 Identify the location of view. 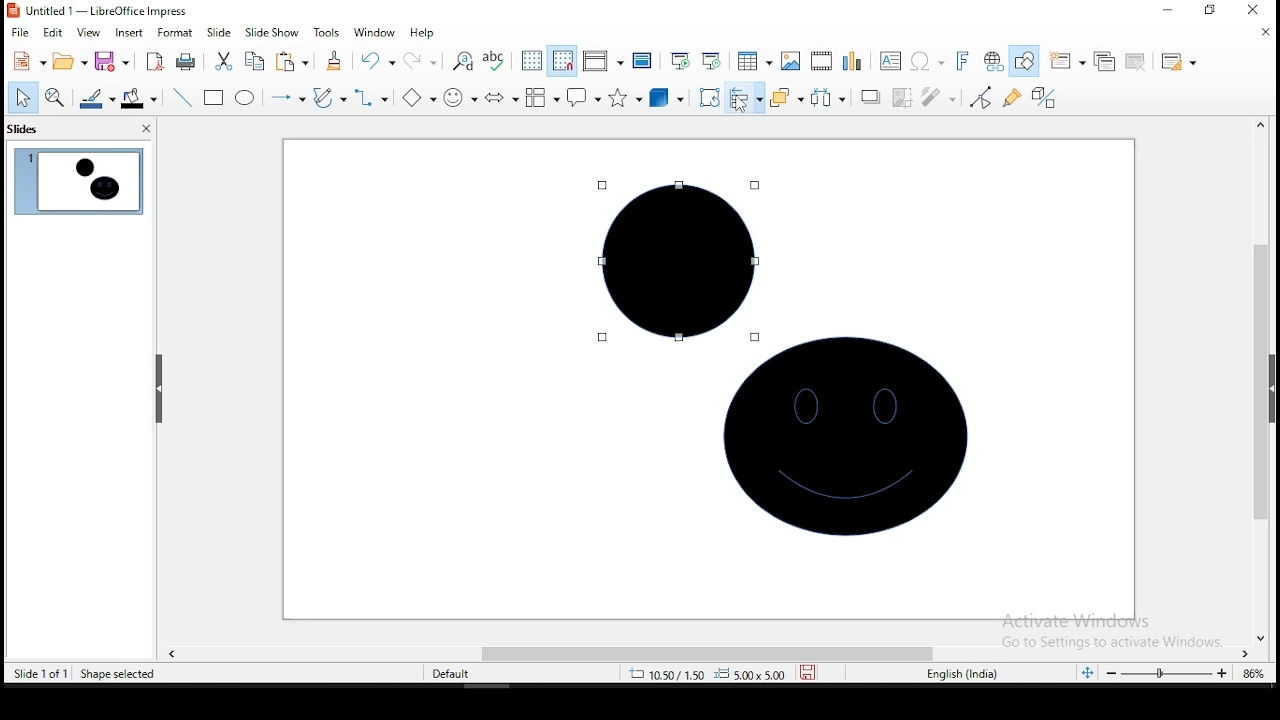
(89, 34).